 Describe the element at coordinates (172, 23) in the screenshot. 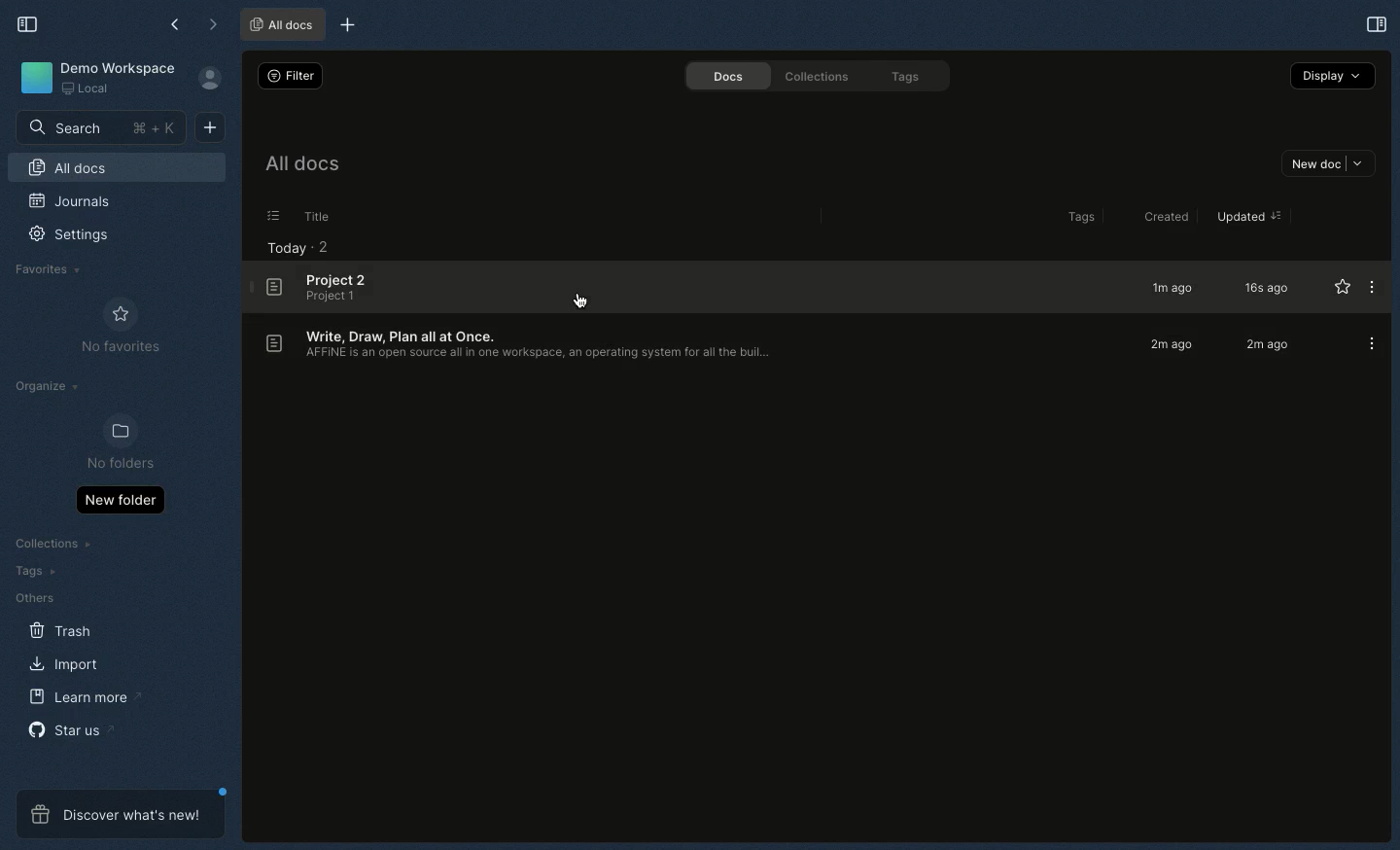

I see `Back` at that location.